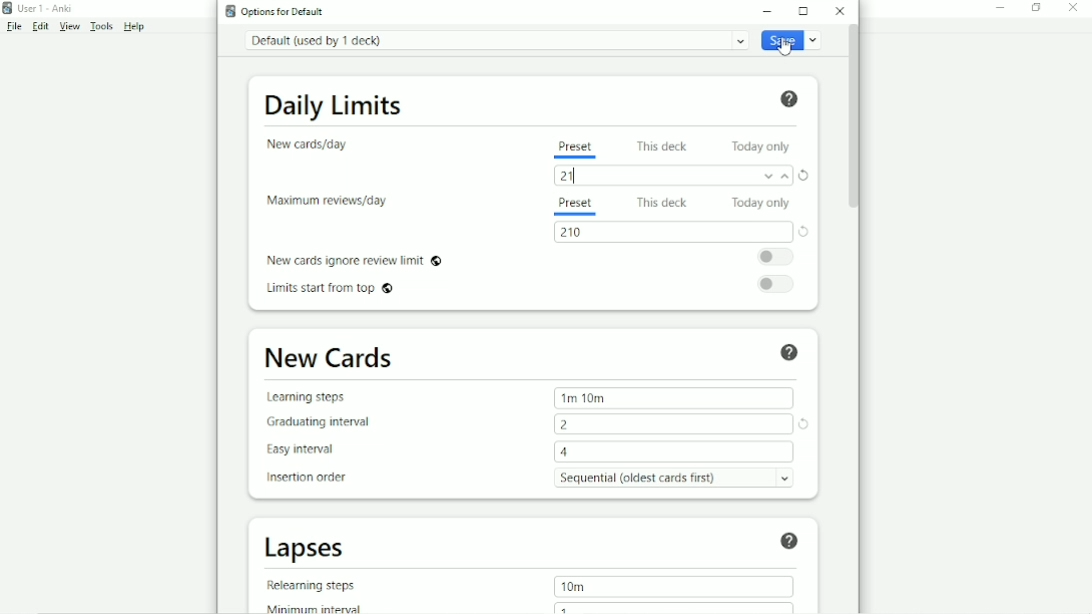 The height and width of the screenshot is (614, 1092). Describe the element at coordinates (791, 41) in the screenshot. I see `Save` at that location.